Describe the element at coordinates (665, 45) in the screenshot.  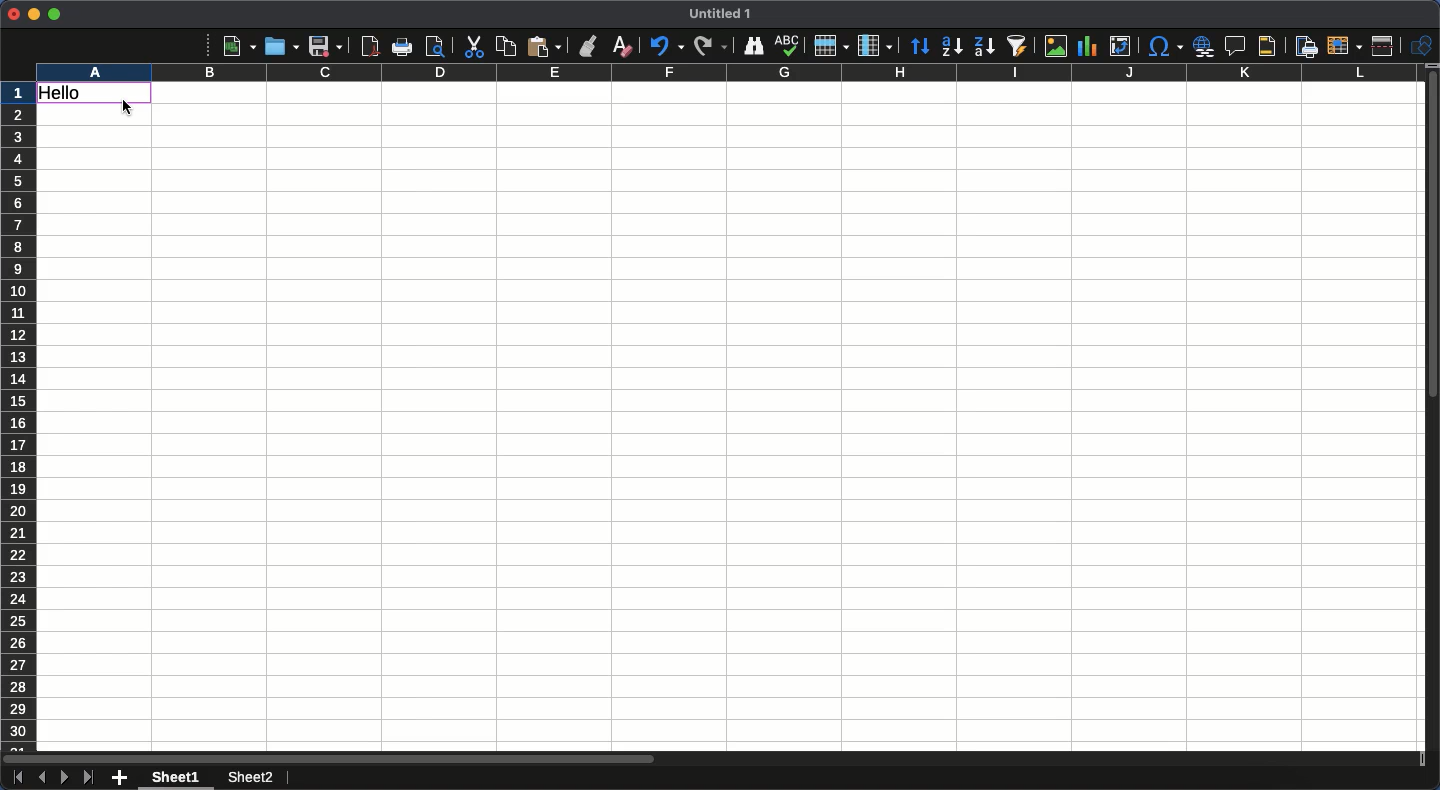
I see `Undo` at that location.